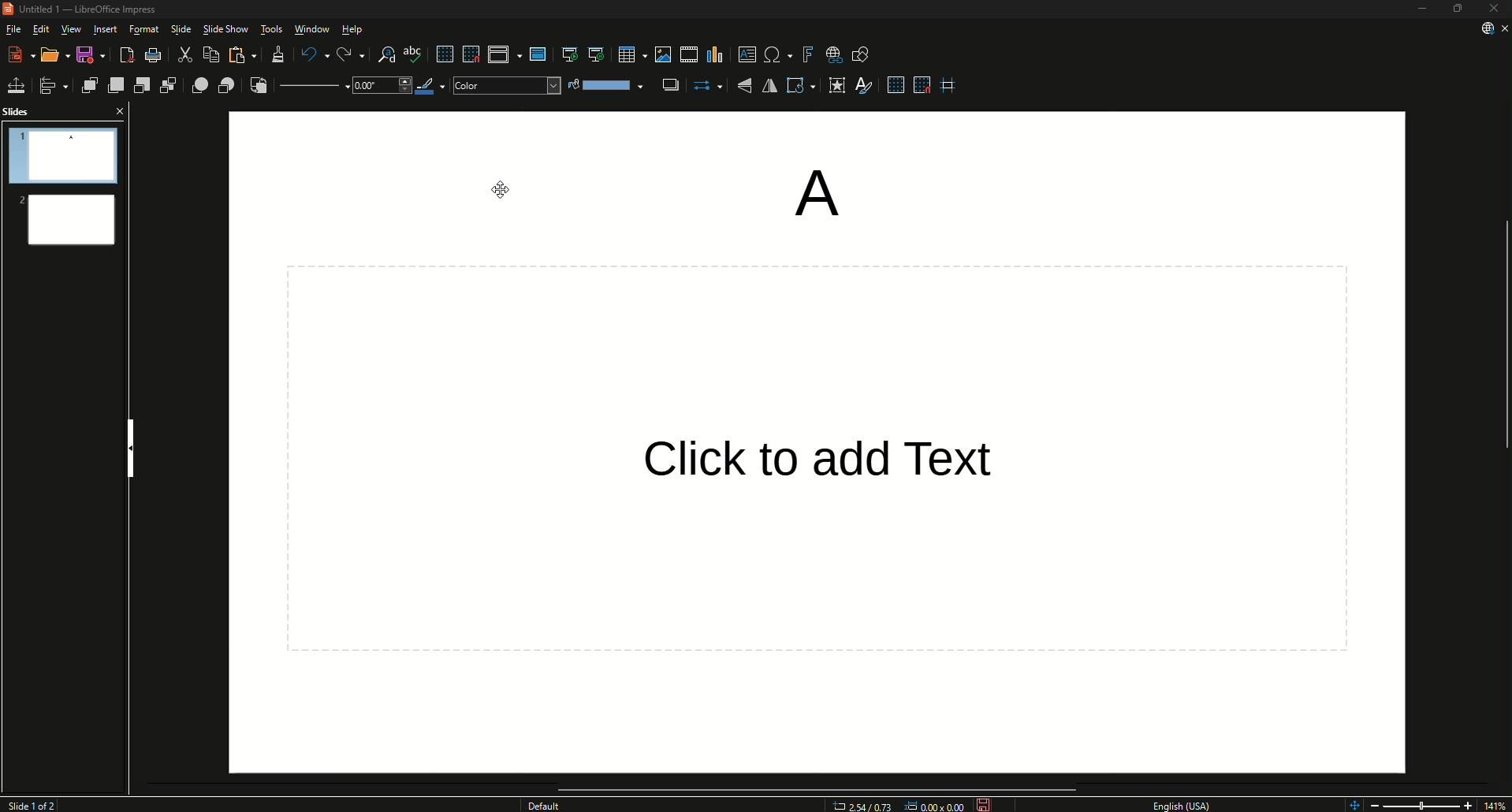  I want to click on Behind Object, so click(224, 86).